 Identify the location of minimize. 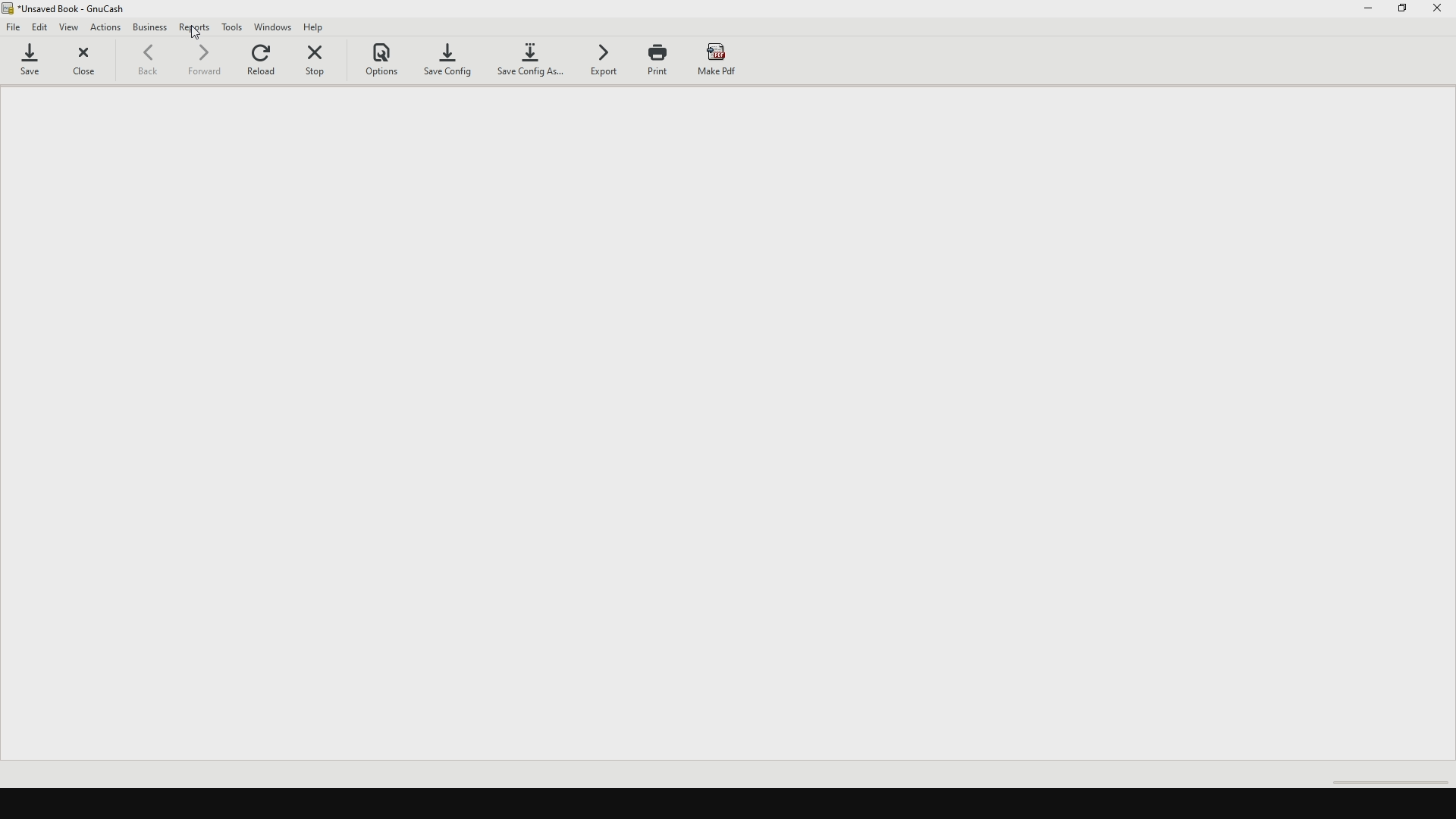
(1369, 11).